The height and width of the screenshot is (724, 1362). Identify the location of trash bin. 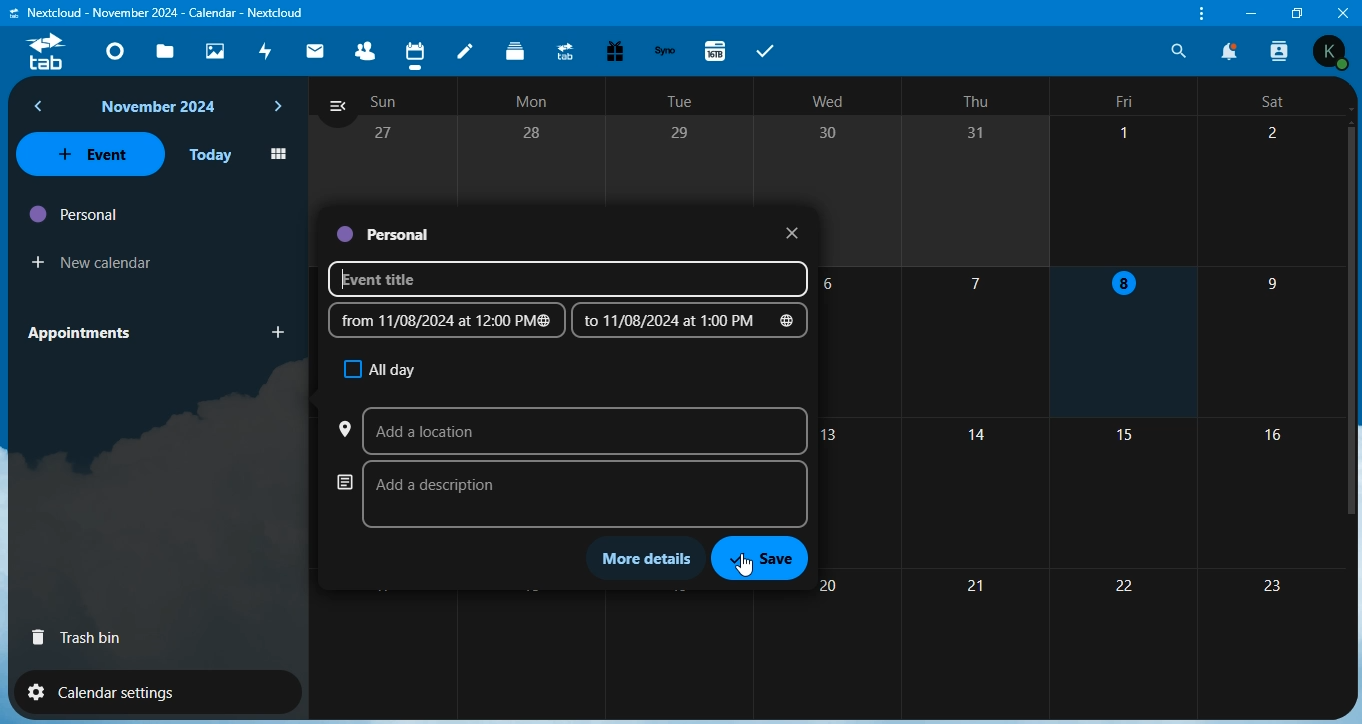
(74, 638).